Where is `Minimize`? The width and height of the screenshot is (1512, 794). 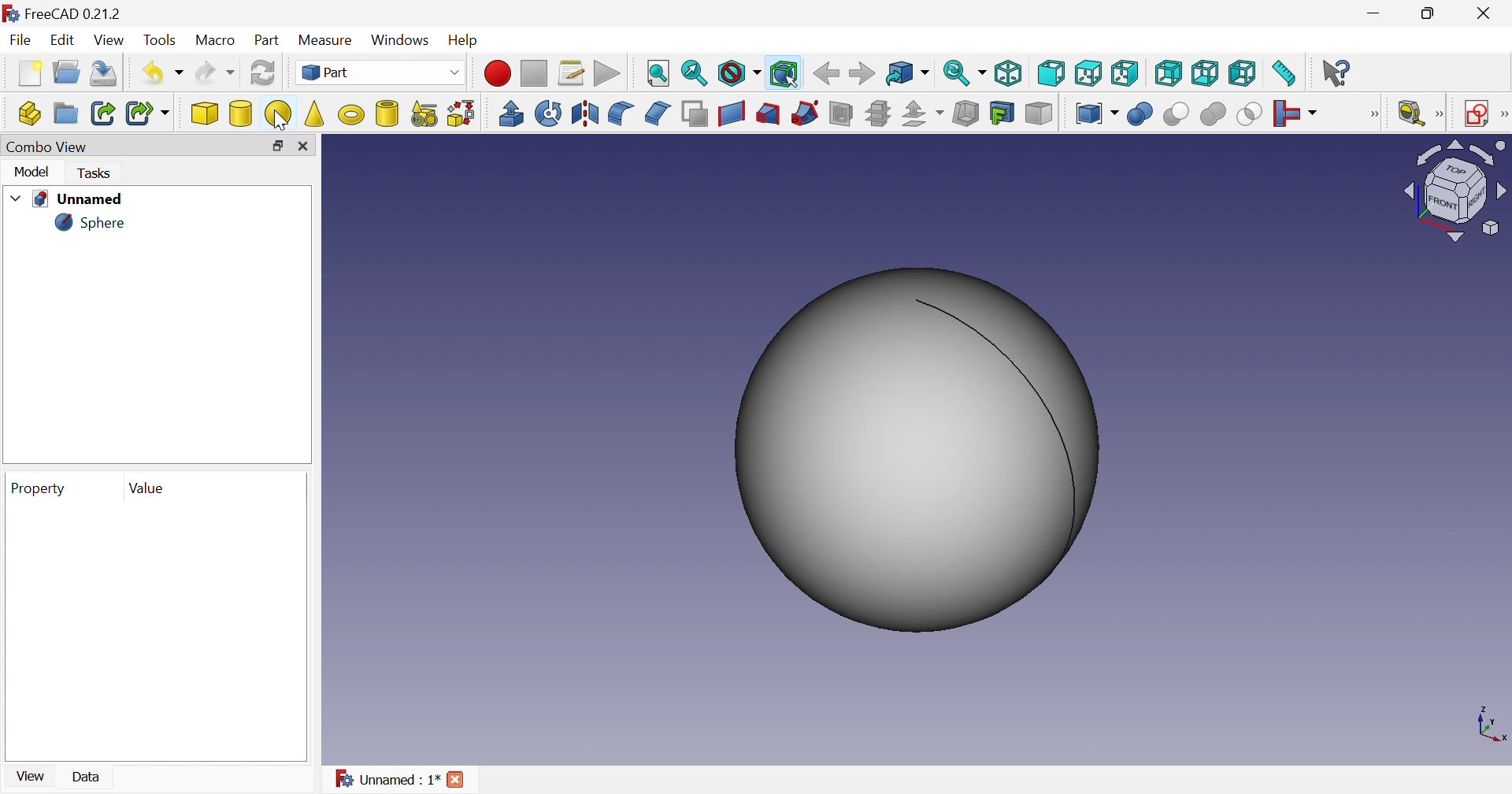 Minimize is located at coordinates (1374, 14).